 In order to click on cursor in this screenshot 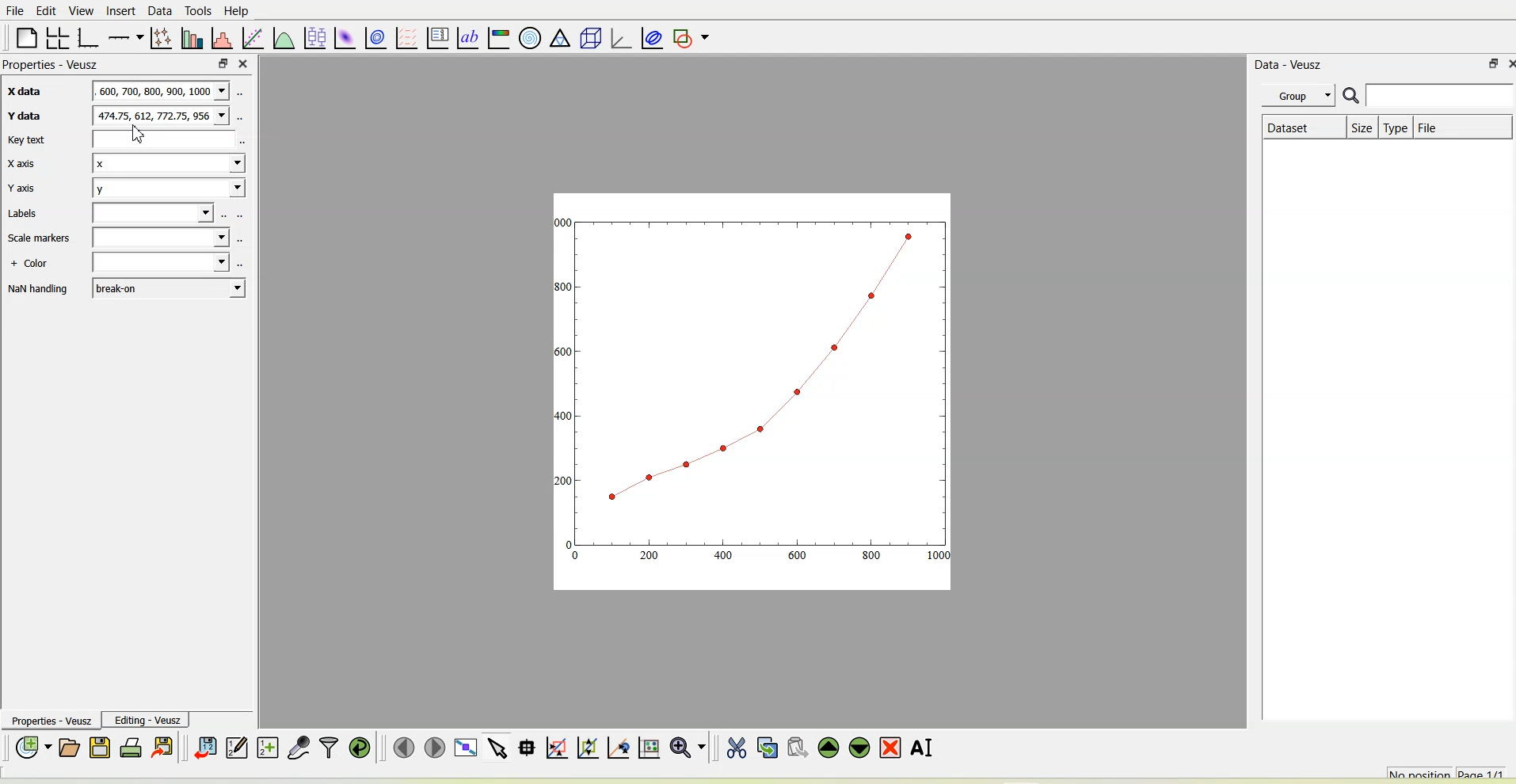, I will do `click(139, 135)`.